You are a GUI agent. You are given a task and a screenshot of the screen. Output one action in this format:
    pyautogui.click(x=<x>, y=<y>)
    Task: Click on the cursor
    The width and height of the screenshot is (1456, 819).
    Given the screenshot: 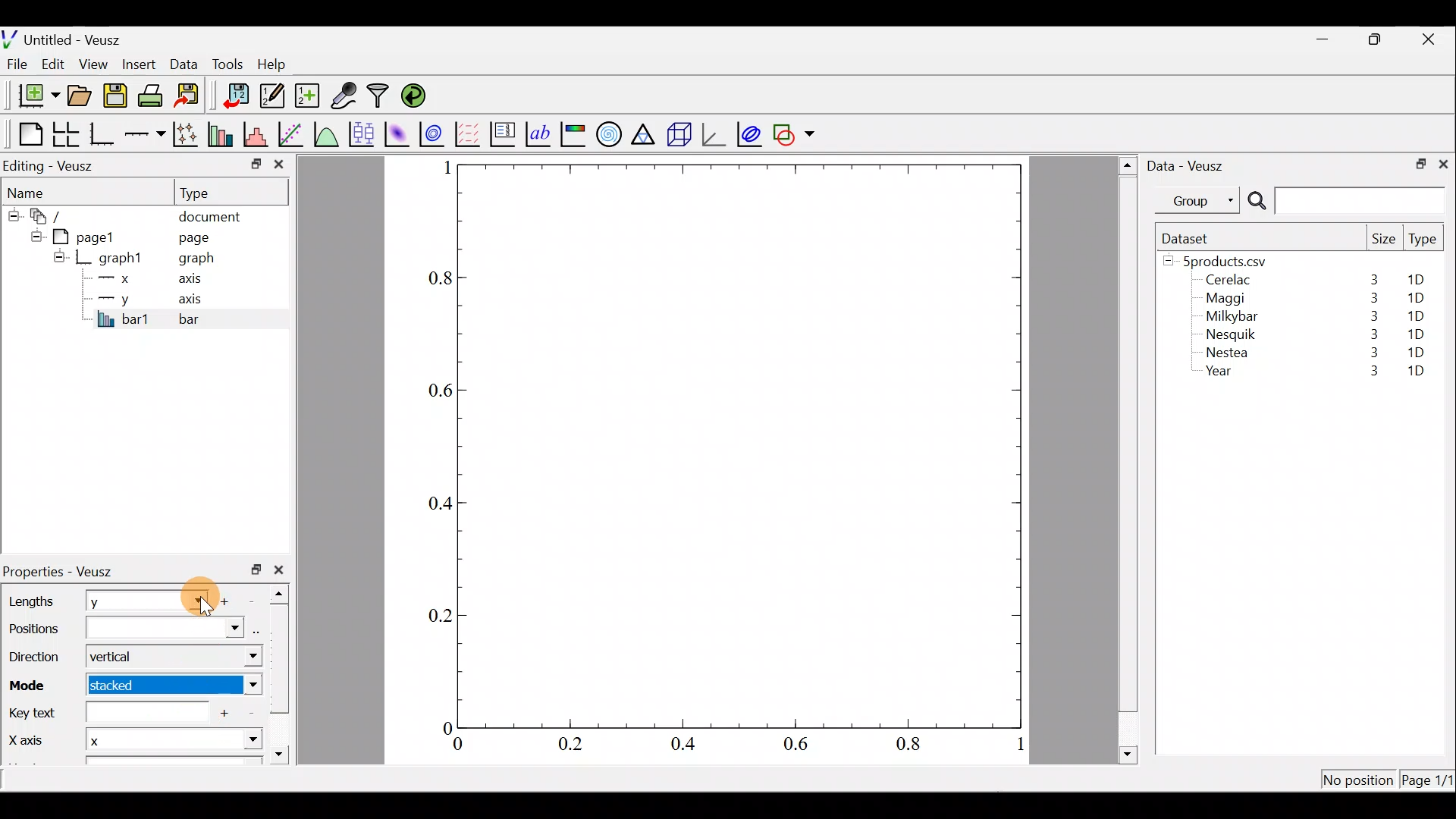 What is the action you would take?
    pyautogui.click(x=194, y=595)
    